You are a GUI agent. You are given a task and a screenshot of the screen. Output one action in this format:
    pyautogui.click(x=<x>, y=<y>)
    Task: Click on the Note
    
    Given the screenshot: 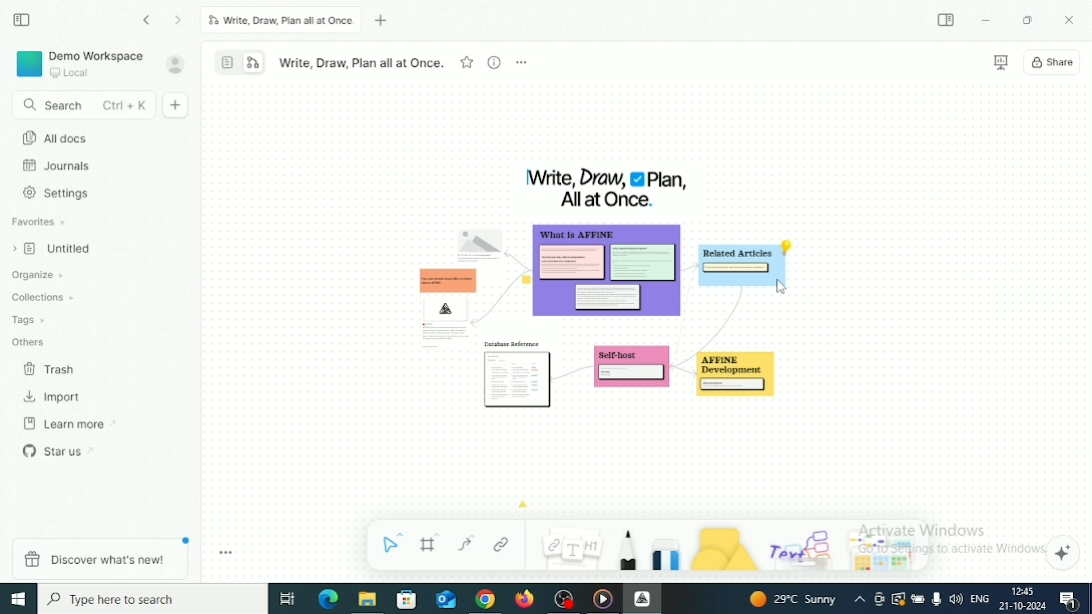 What is the action you would take?
    pyautogui.click(x=570, y=546)
    